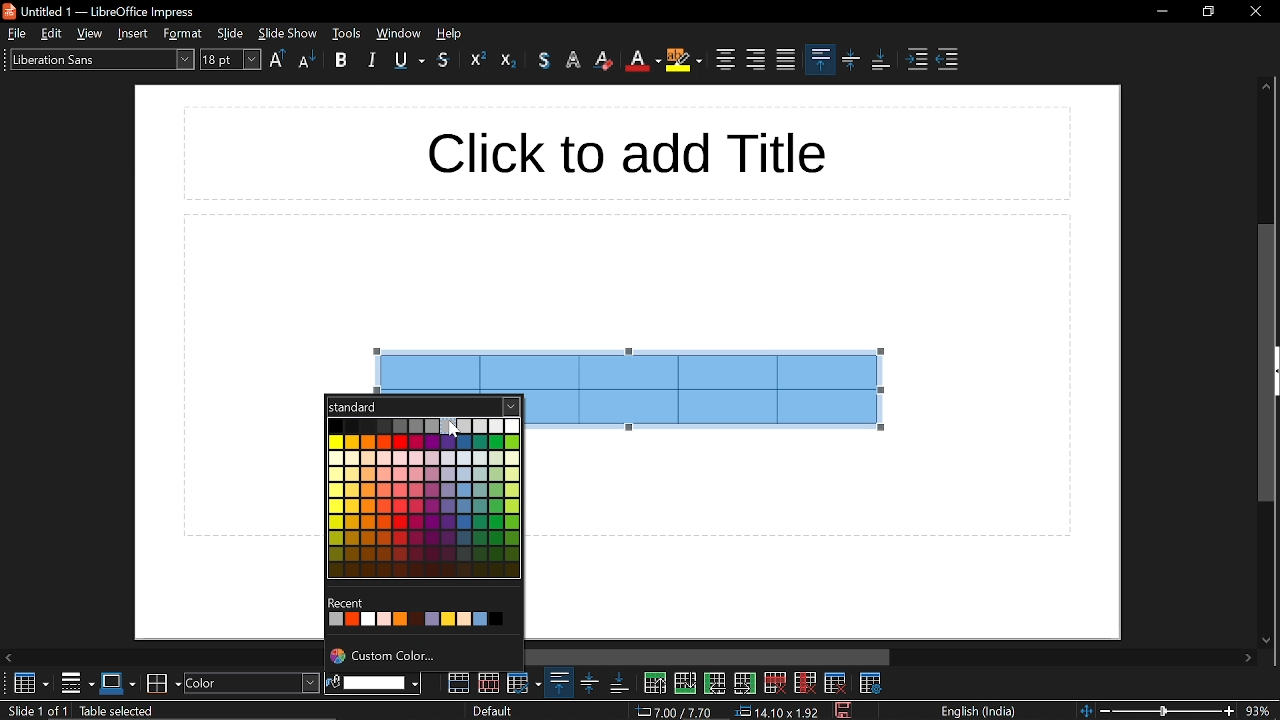 Image resolution: width=1280 pixels, height=720 pixels. What do you see at coordinates (289, 33) in the screenshot?
I see `slide show` at bounding box center [289, 33].